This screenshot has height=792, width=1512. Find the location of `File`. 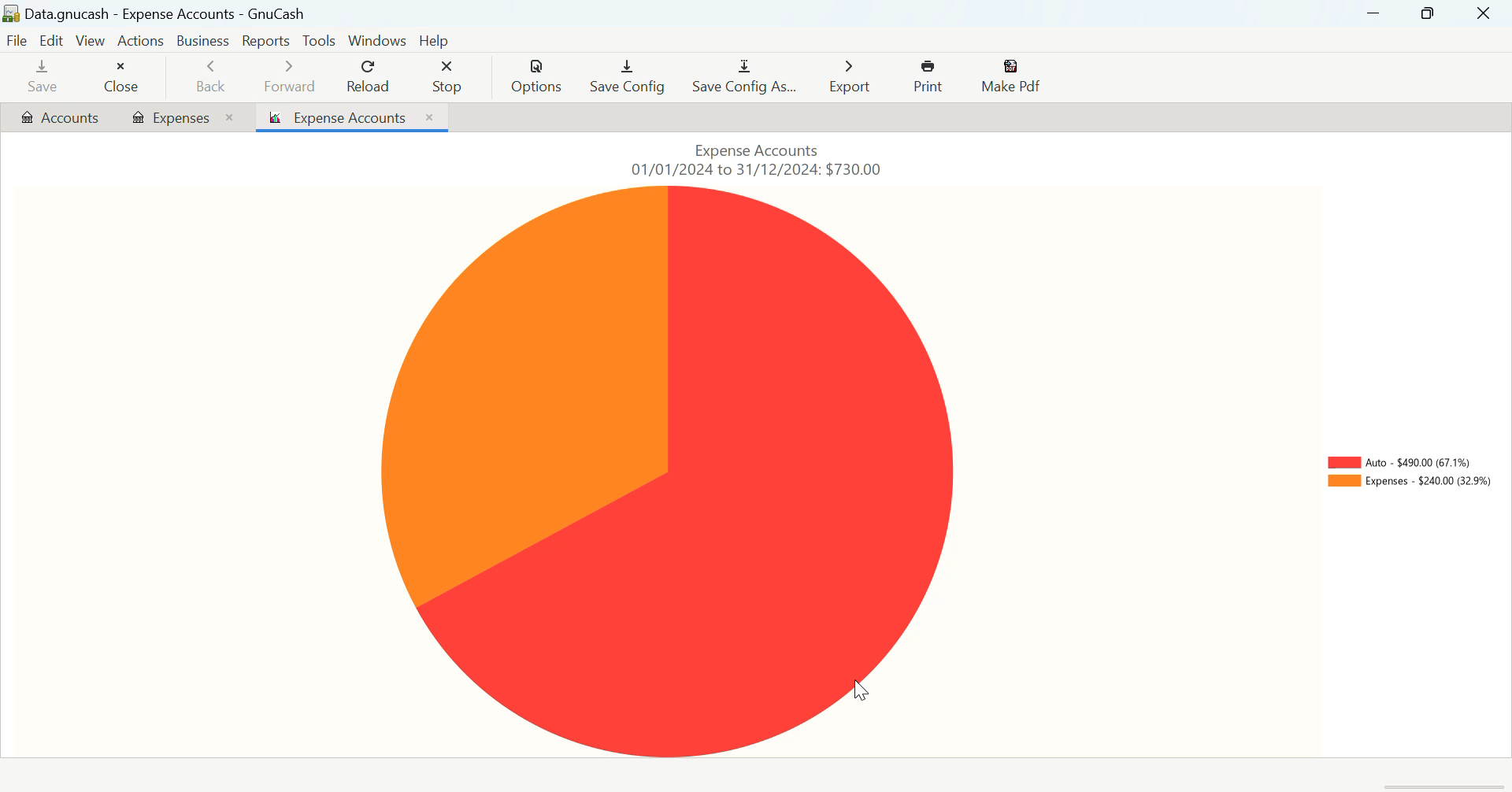

File is located at coordinates (18, 39).